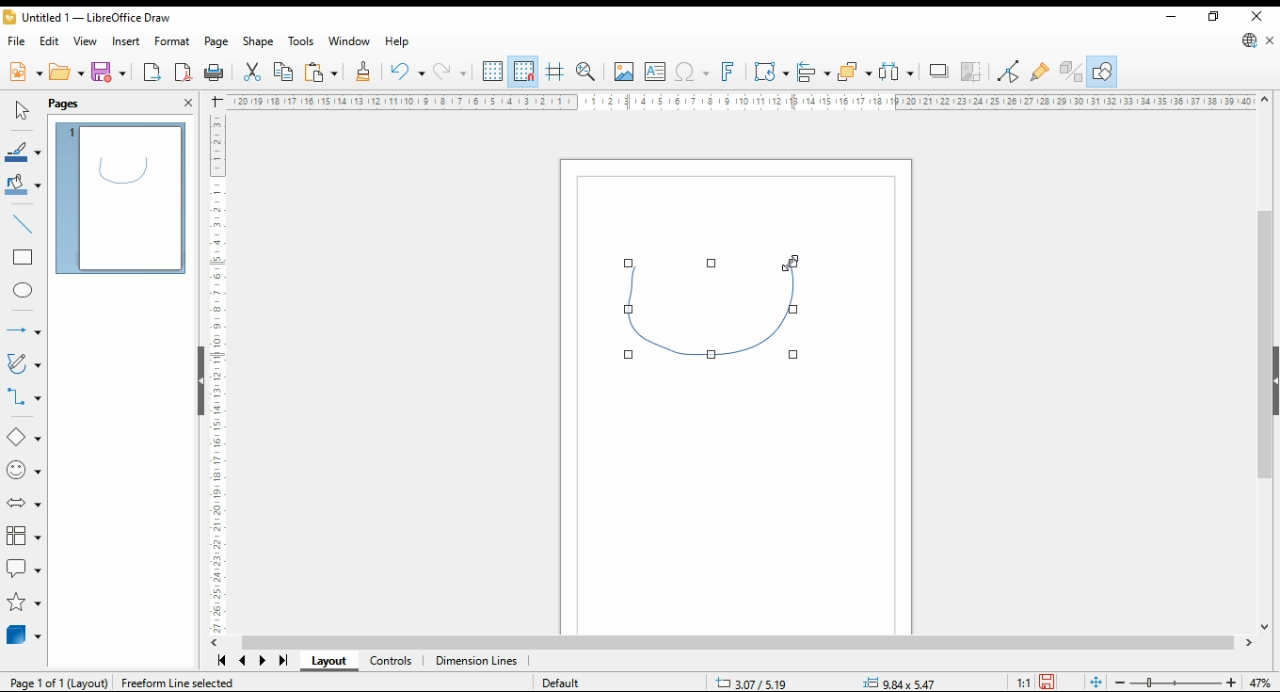 The height and width of the screenshot is (692, 1280). I want to click on zoom and pan, so click(586, 73).